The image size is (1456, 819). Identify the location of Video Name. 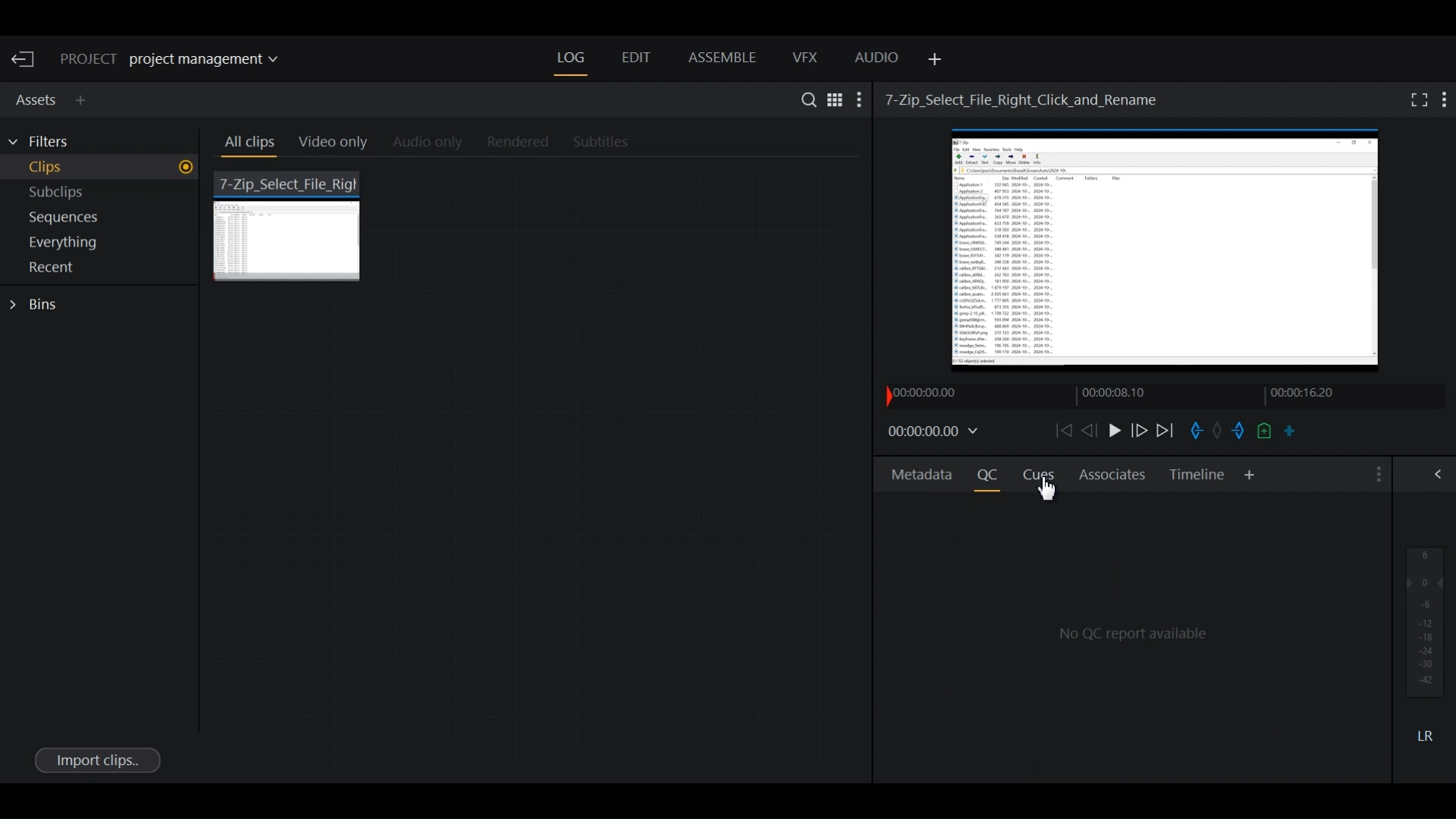
(1025, 99).